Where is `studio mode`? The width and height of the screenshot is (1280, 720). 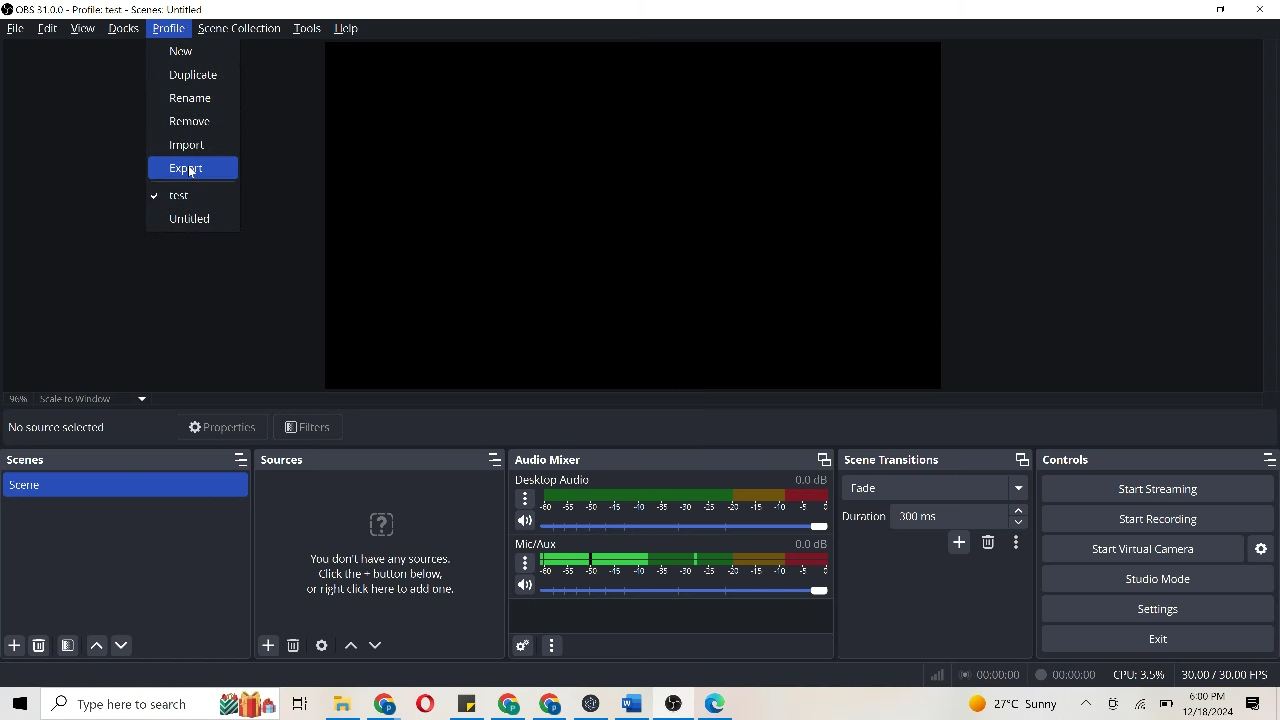
studio mode is located at coordinates (1160, 581).